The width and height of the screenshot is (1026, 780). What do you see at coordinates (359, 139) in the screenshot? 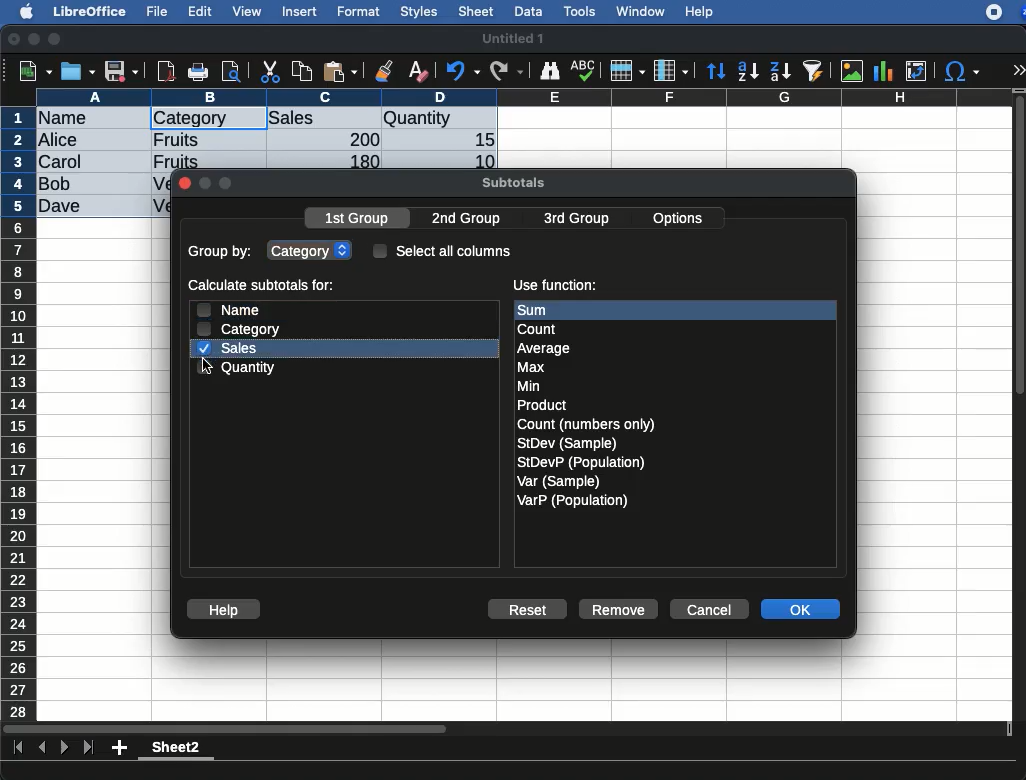
I see `200` at bounding box center [359, 139].